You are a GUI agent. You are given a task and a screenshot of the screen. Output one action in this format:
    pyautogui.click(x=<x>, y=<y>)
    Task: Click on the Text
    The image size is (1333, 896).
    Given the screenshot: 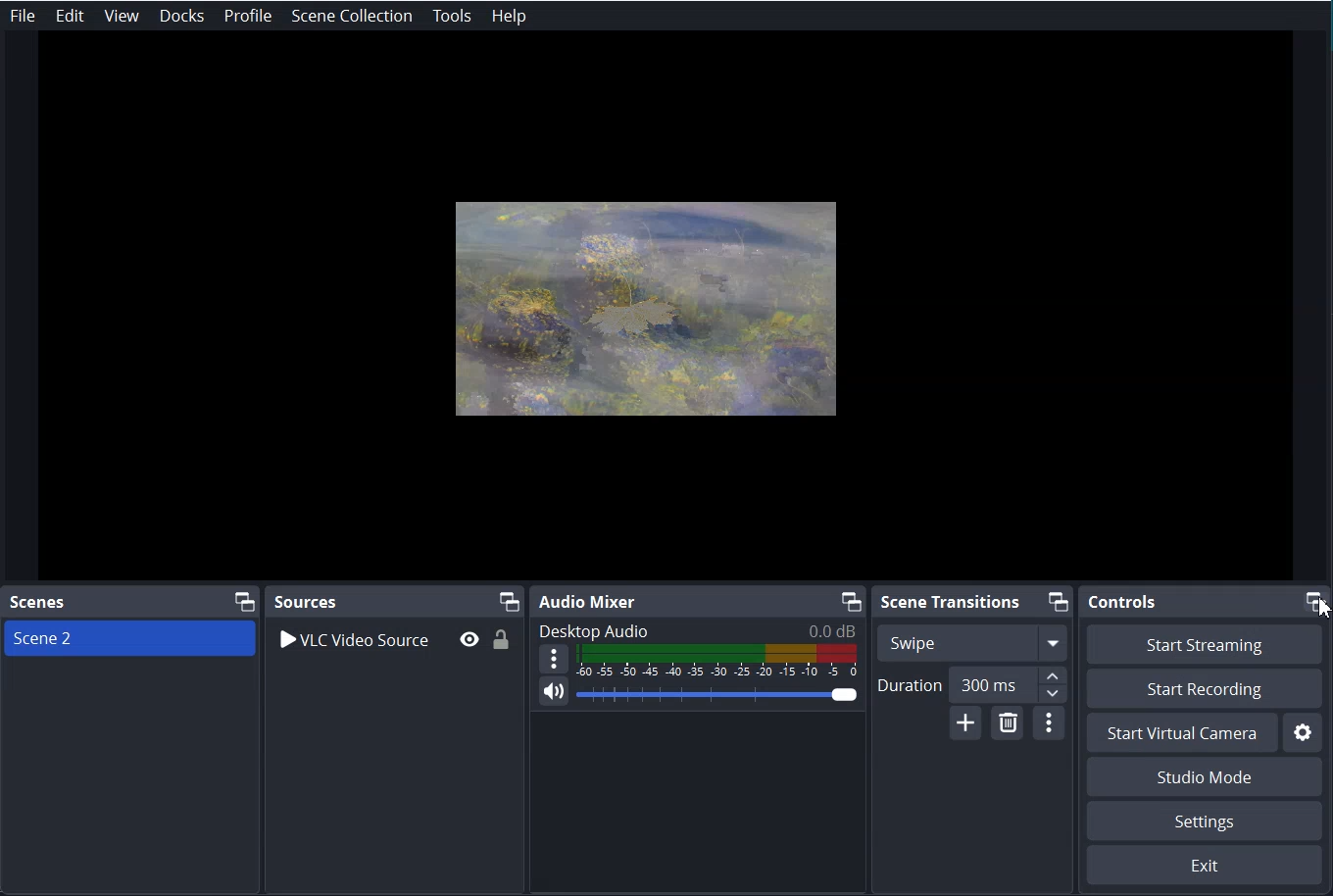 What is the action you would take?
    pyautogui.click(x=698, y=628)
    